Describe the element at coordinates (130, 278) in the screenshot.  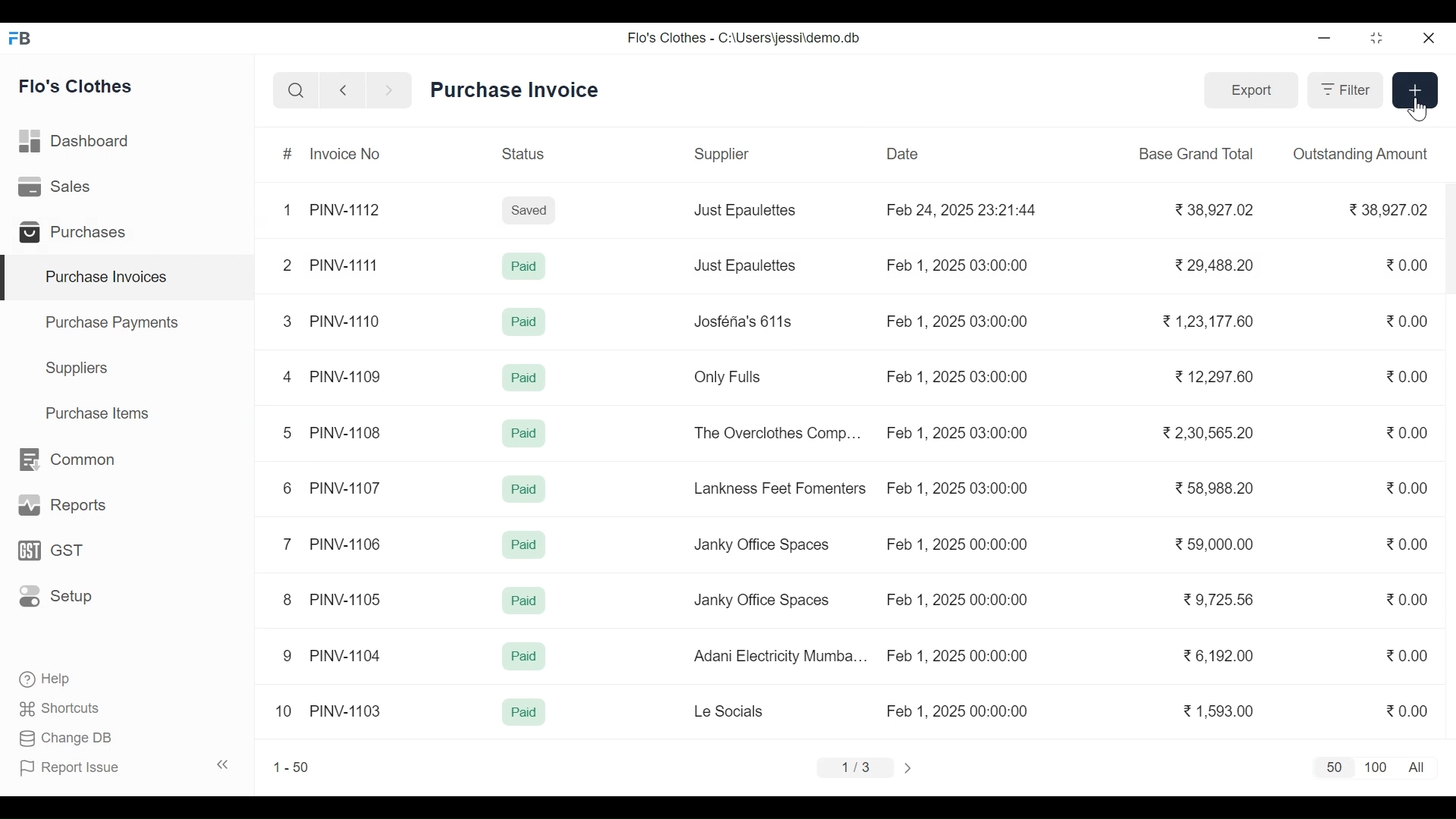
I see `Purchase Invoices` at that location.